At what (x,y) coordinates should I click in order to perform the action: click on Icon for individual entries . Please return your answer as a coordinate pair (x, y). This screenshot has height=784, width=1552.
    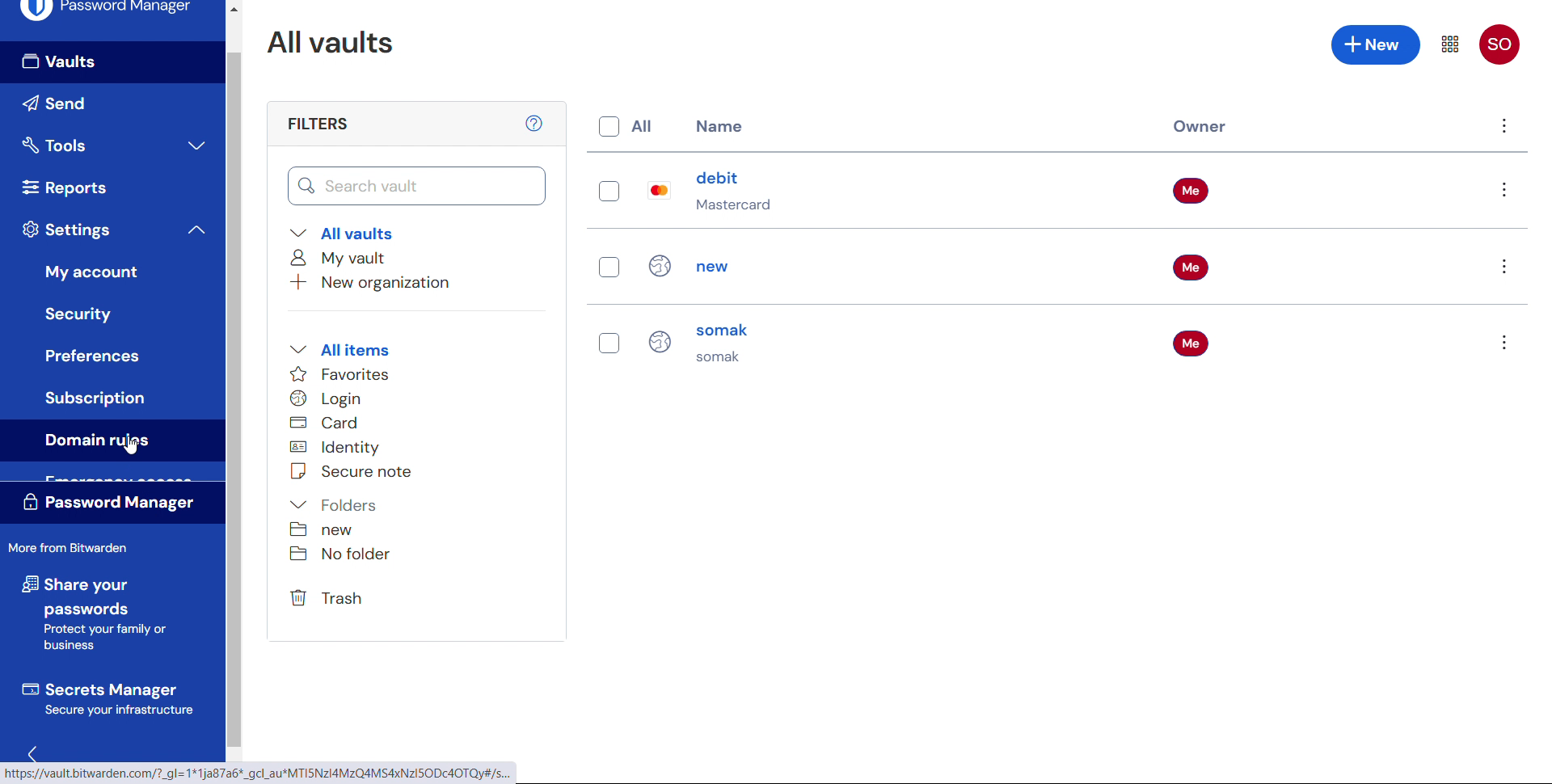
    Looking at the image, I should click on (660, 271).